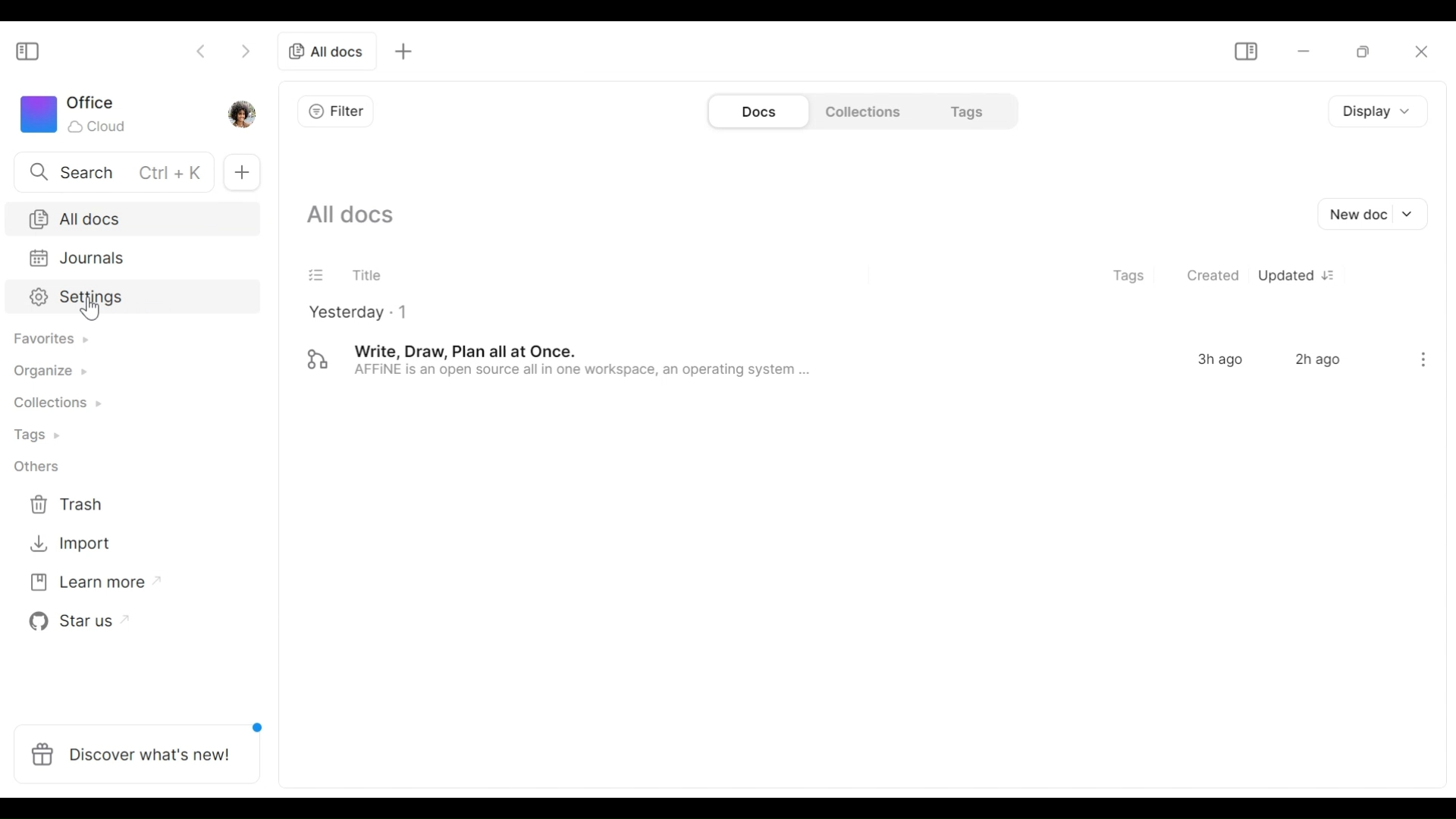 This screenshot has width=1456, height=819. I want to click on Yesterday - 1, so click(358, 312).